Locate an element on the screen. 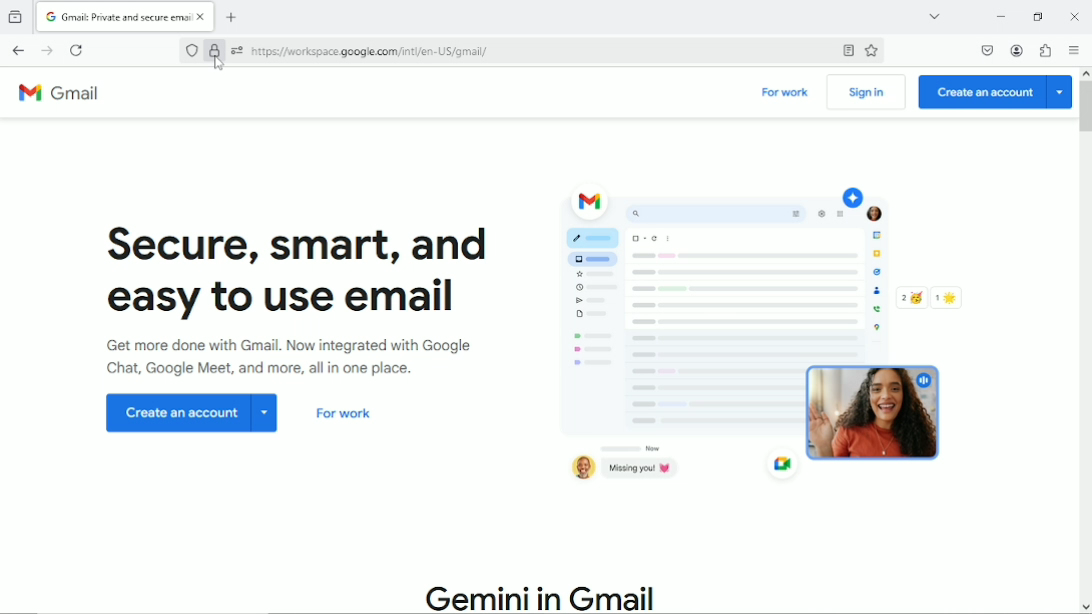 Image resolution: width=1092 pixels, height=614 pixels. Account is located at coordinates (1019, 50).